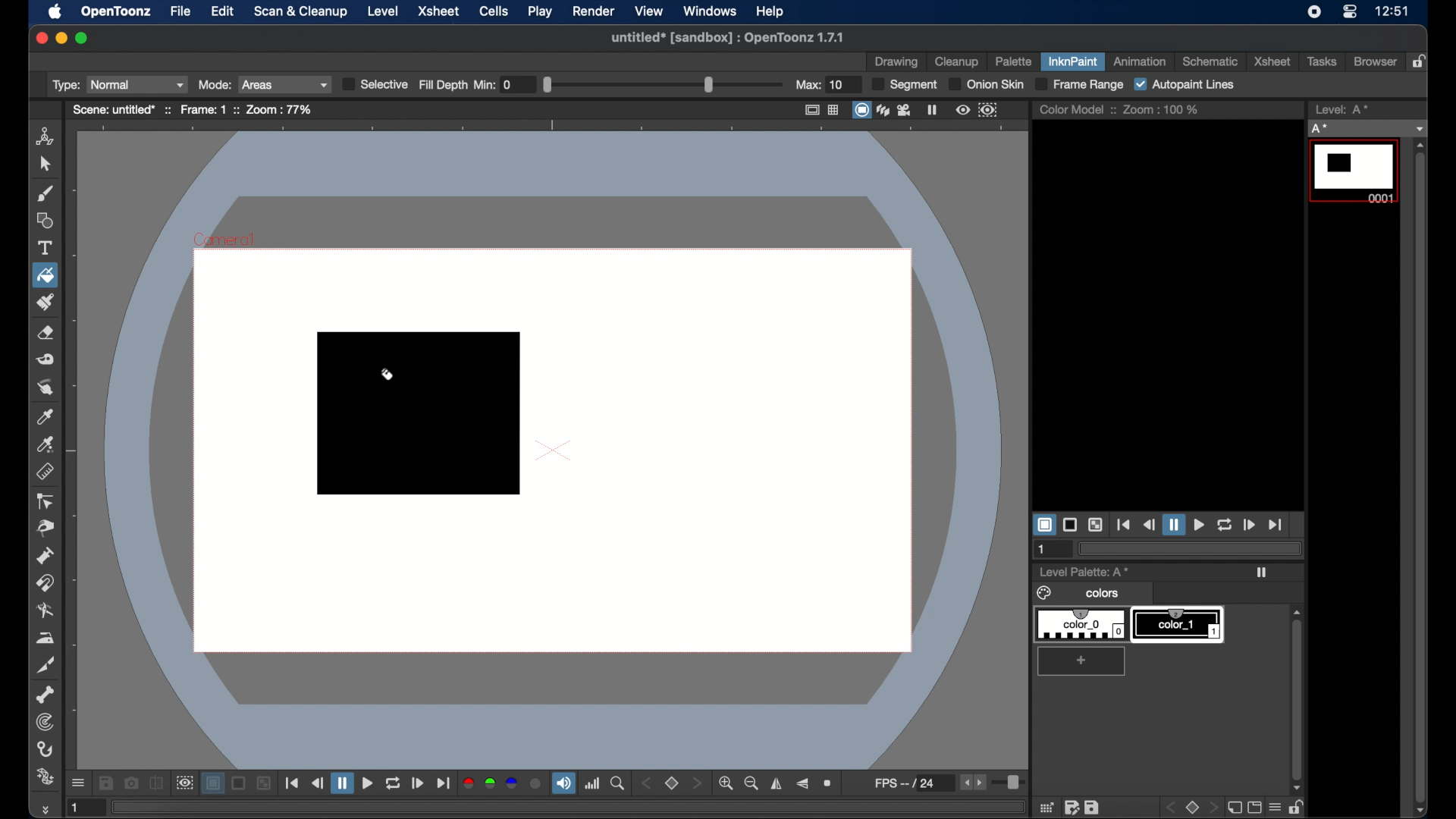 This screenshot has height=819, width=1456. What do you see at coordinates (276, 109) in the screenshot?
I see `zoom : 77%` at bounding box center [276, 109].